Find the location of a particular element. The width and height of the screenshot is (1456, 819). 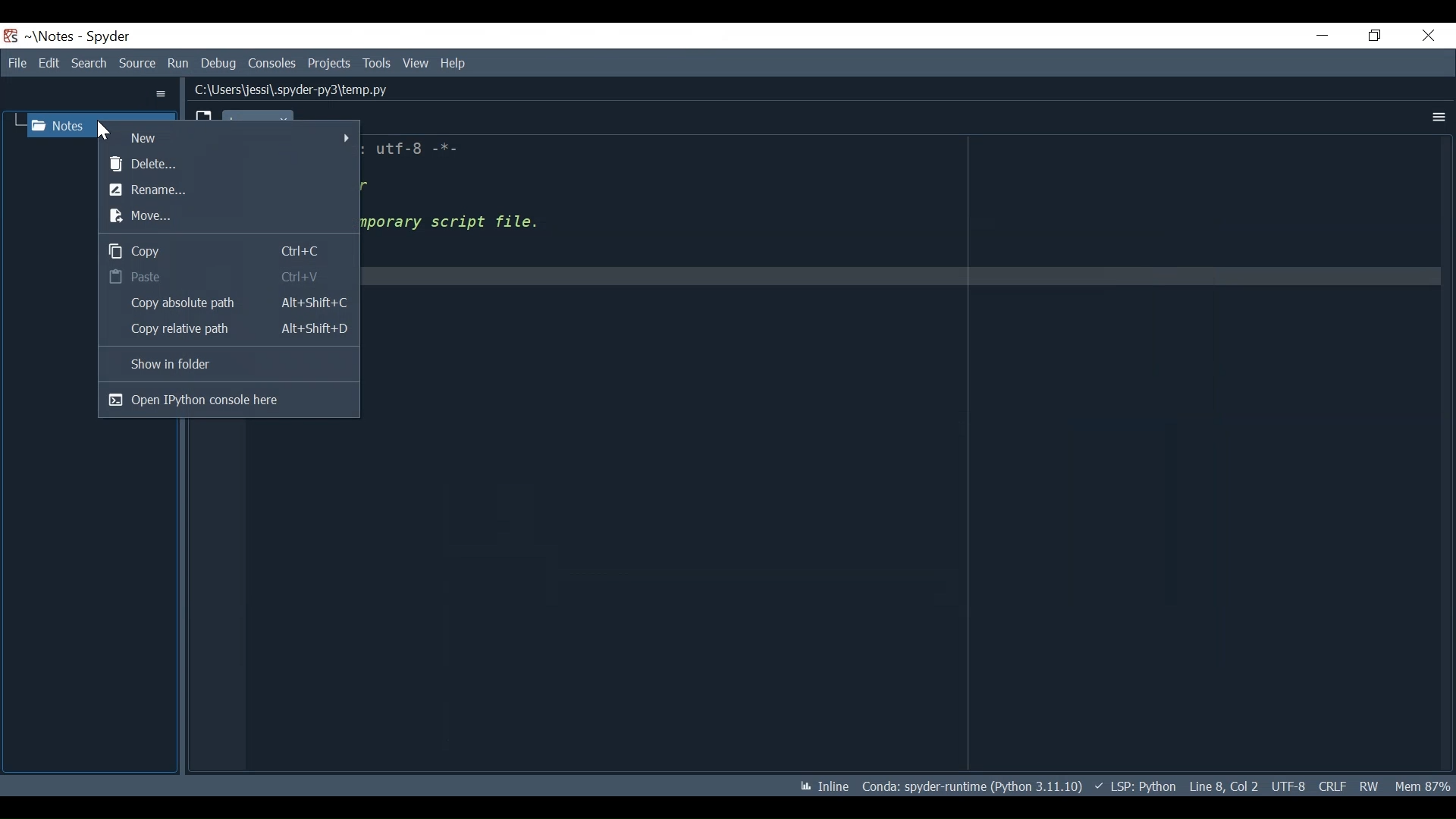

Close is located at coordinates (1426, 36).